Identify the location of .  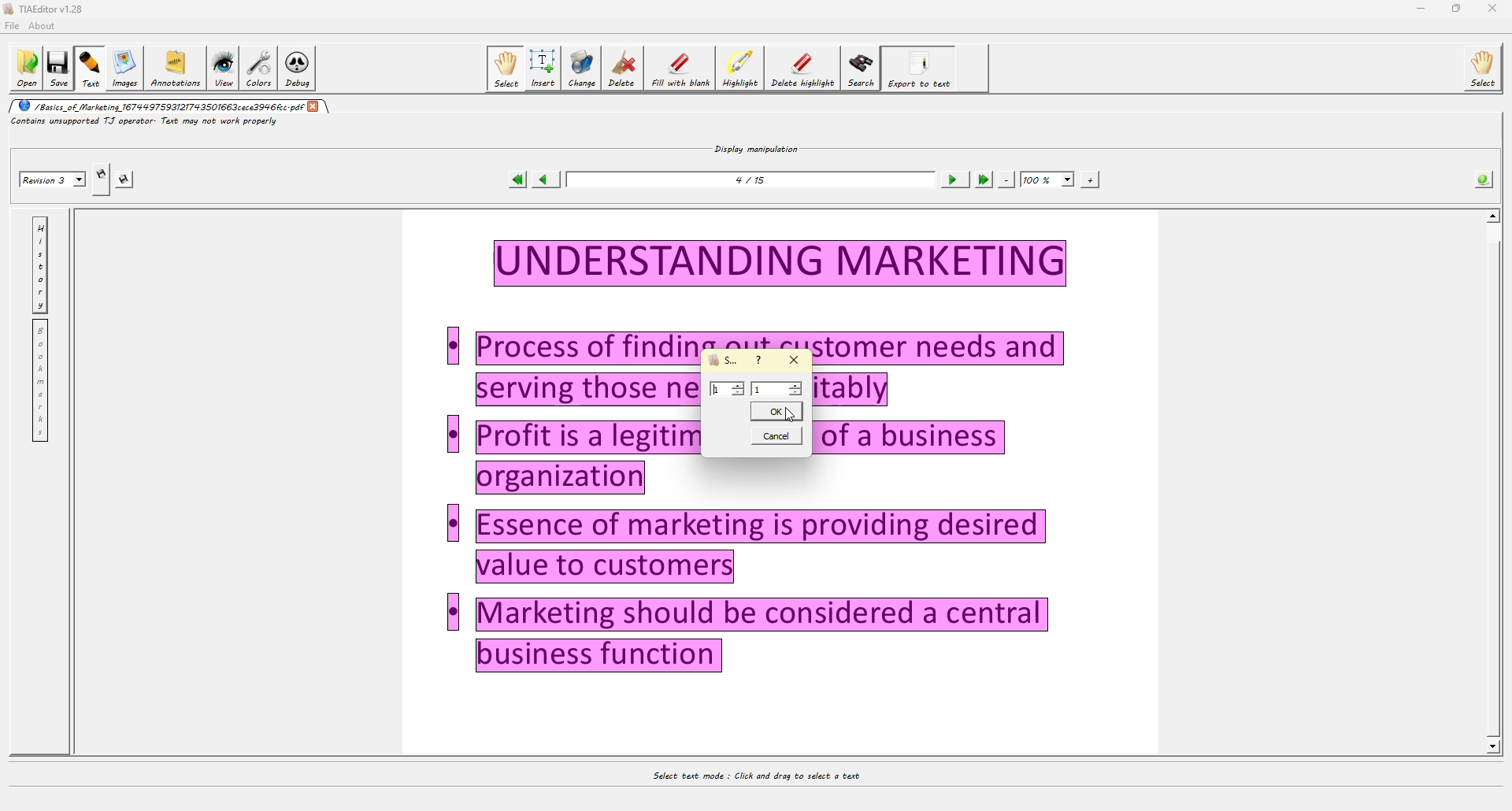
(1495, 491).